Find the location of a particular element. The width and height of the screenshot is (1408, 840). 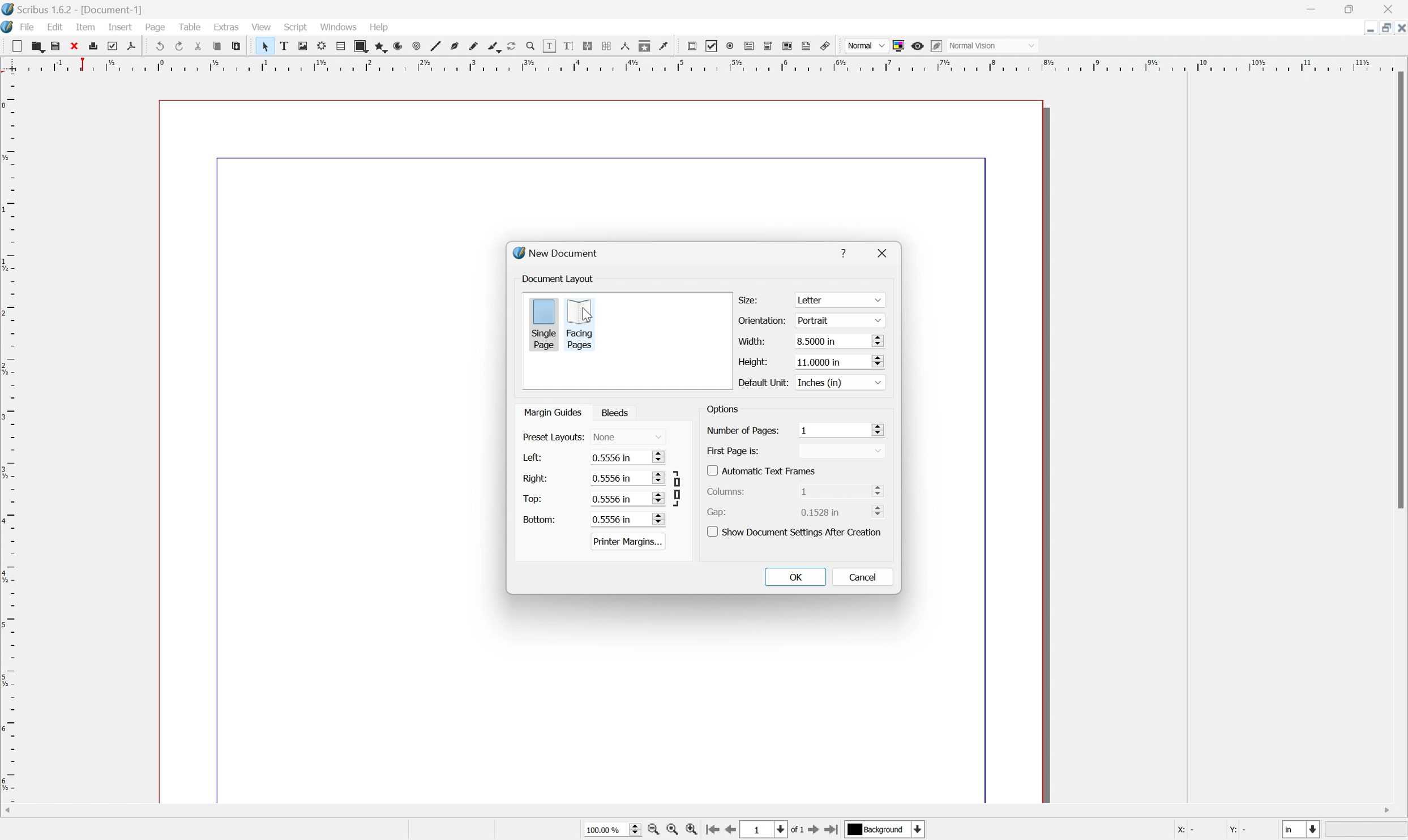

left: is located at coordinates (537, 458).